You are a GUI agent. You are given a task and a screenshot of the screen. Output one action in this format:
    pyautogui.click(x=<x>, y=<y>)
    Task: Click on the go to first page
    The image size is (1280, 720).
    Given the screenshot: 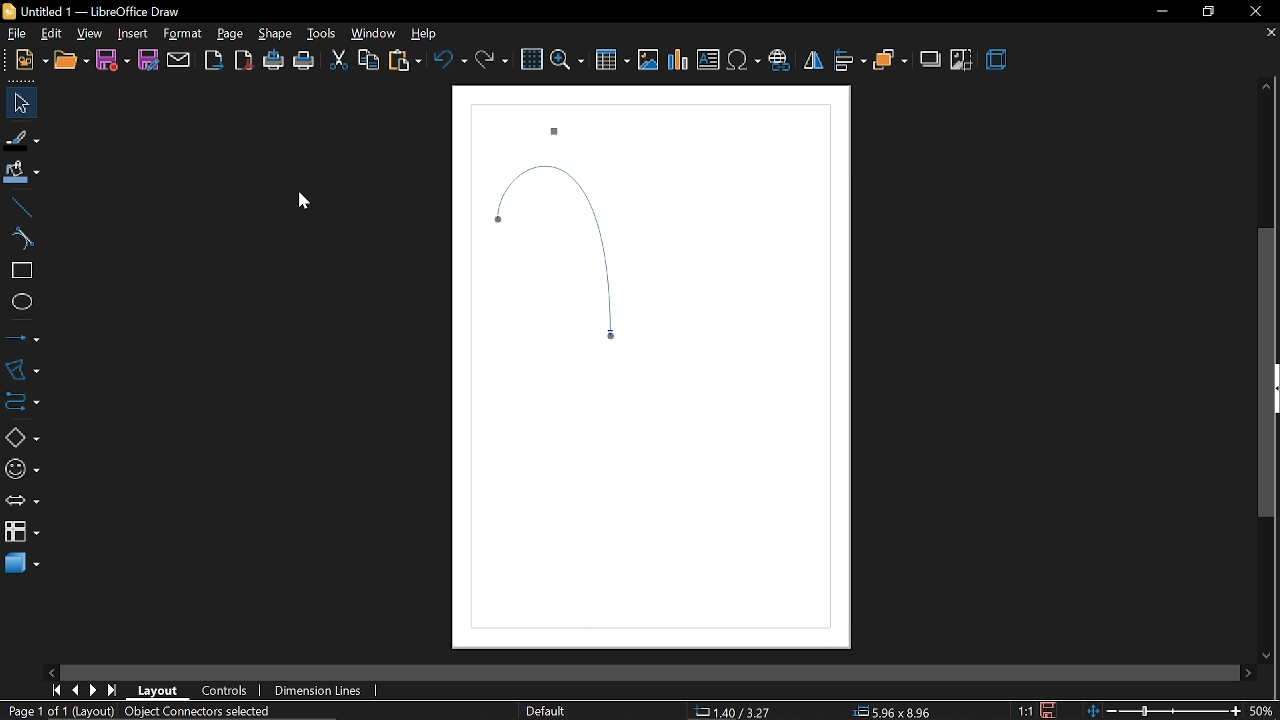 What is the action you would take?
    pyautogui.click(x=54, y=691)
    